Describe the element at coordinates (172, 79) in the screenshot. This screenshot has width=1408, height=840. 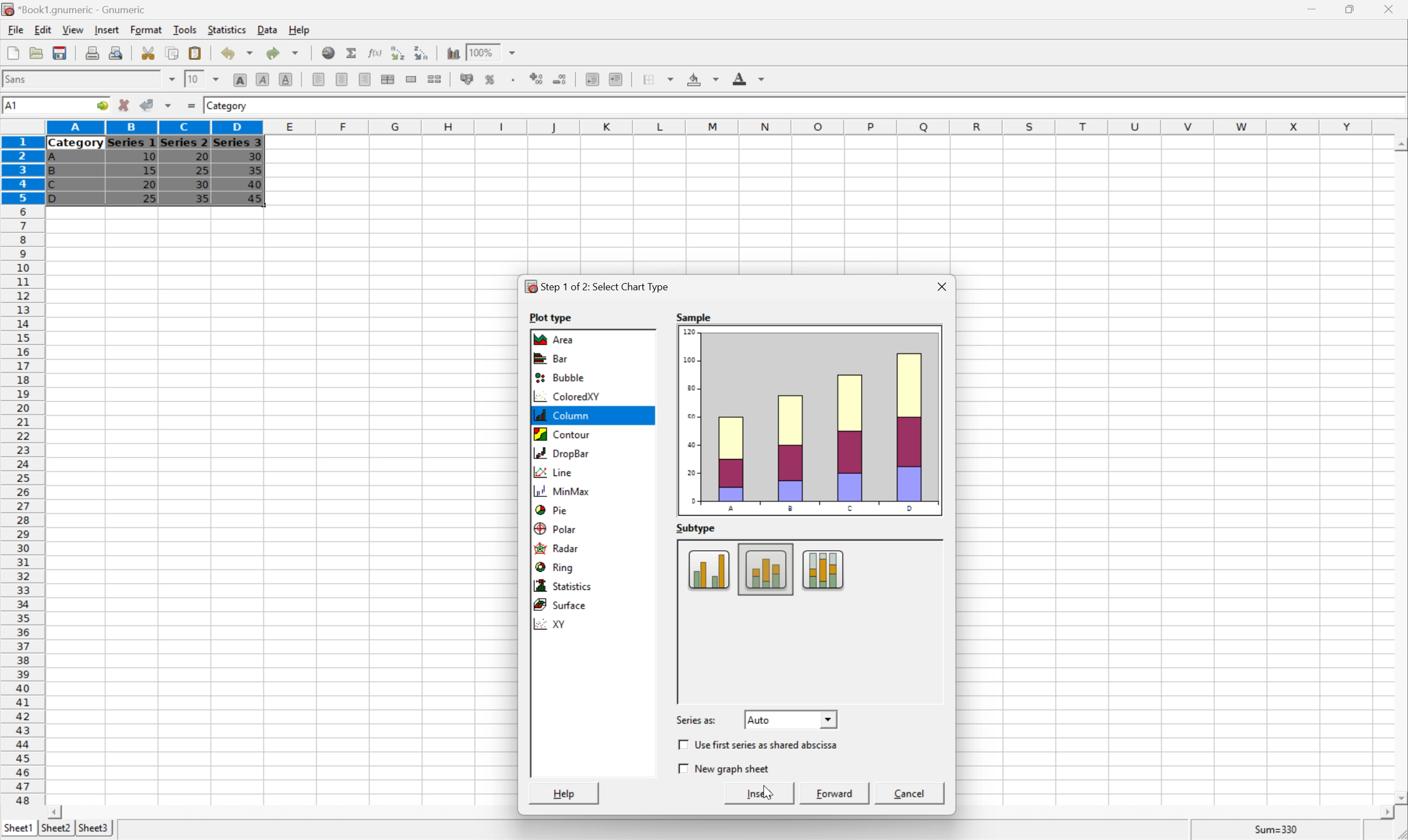
I see `Drop Down` at that location.